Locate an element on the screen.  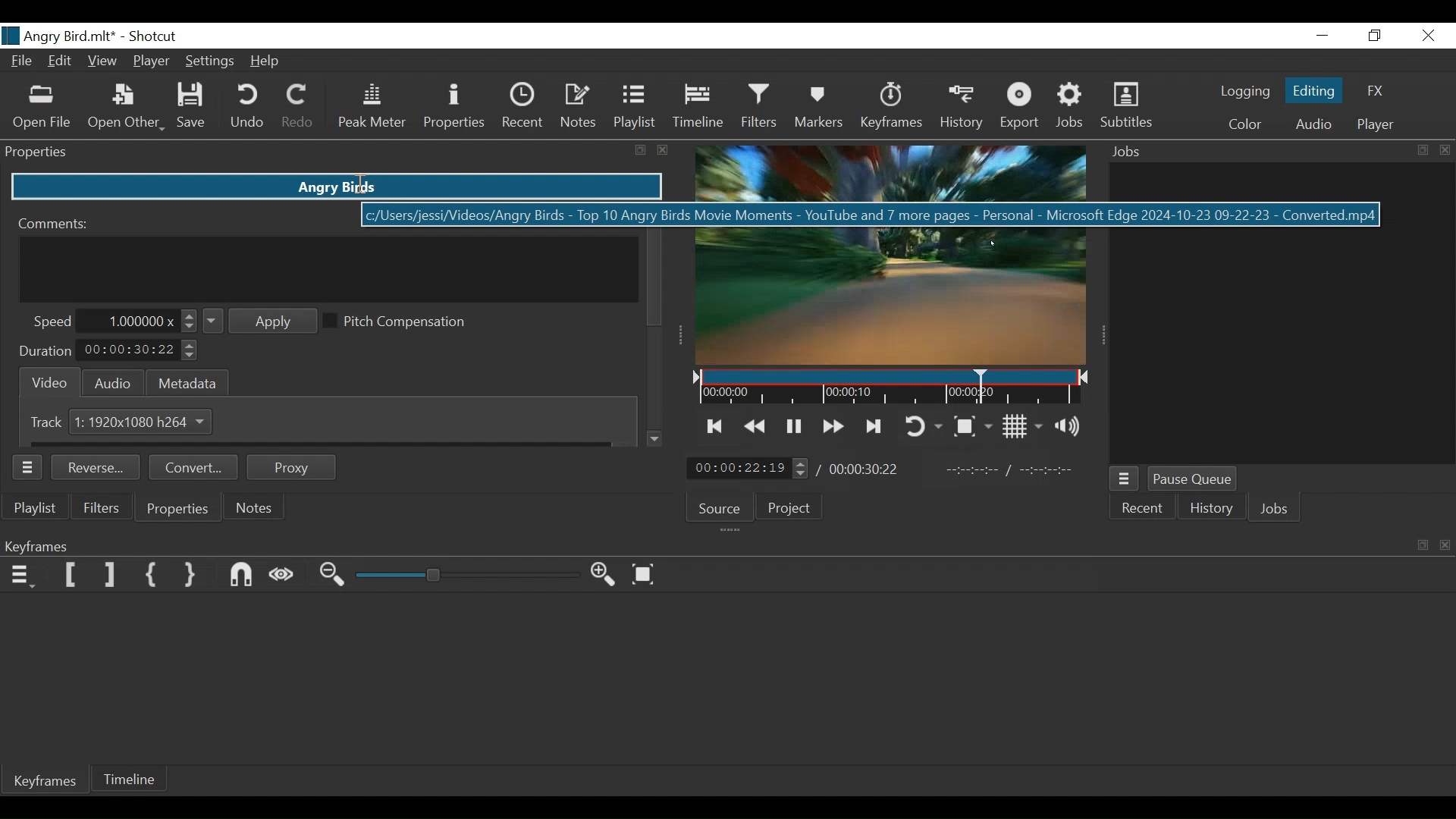
Jobs Panel is located at coordinates (1278, 310).